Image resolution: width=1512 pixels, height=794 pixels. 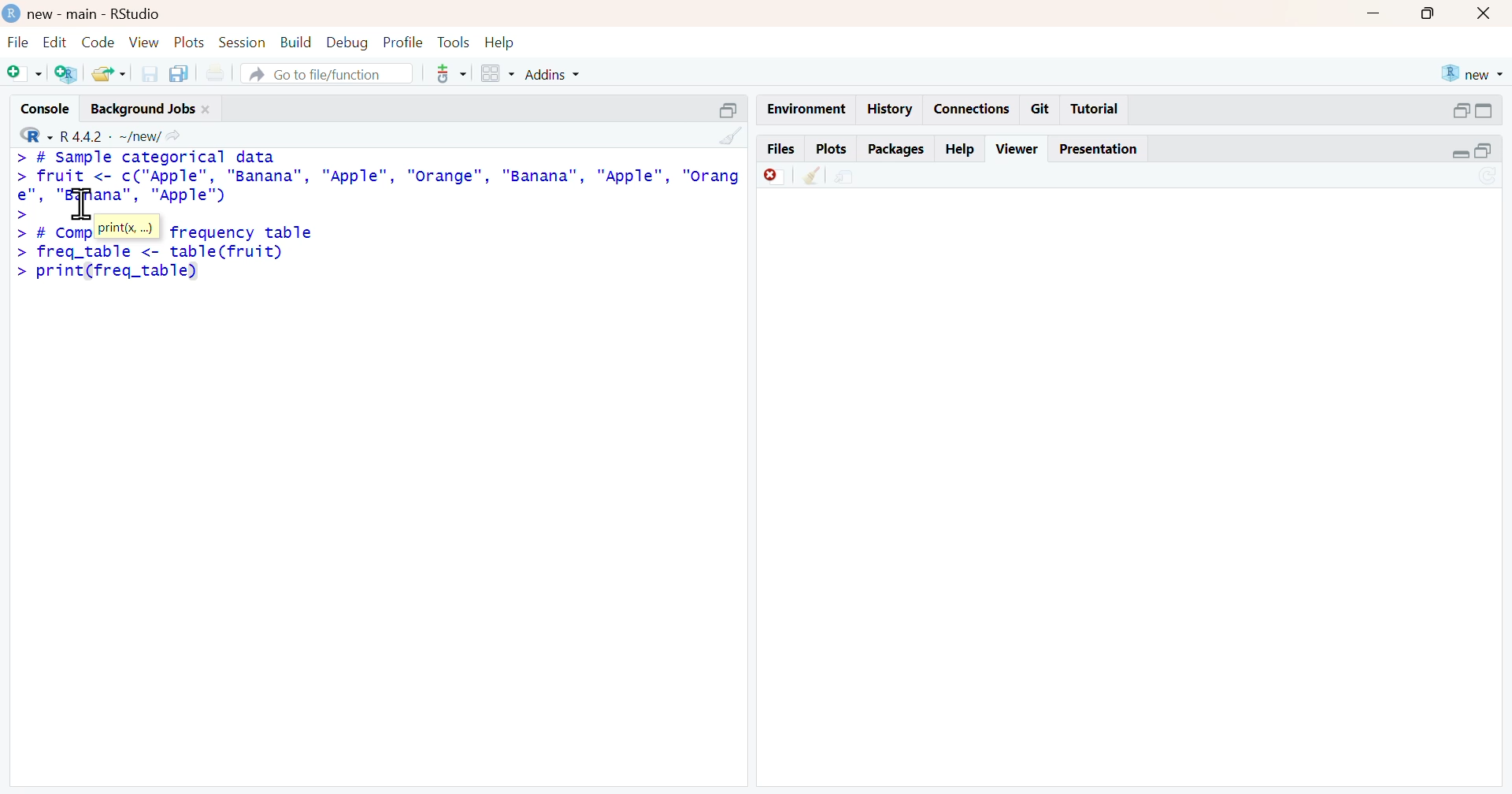 What do you see at coordinates (1095, 111) in the screenshot?
I see `tutorial` at bounding box center [1095, 111].